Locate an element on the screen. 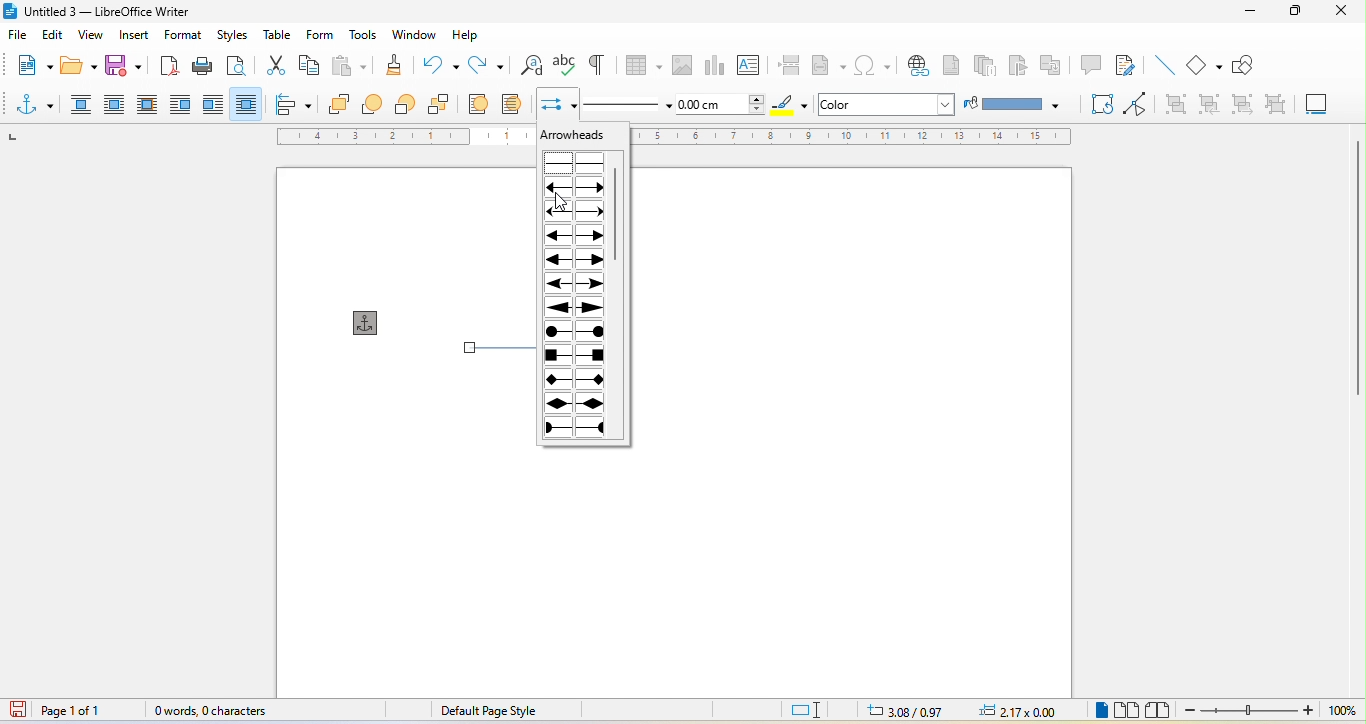 The height and width of the screenshot is (724, 1366). view is located at coordinates (88, 37).